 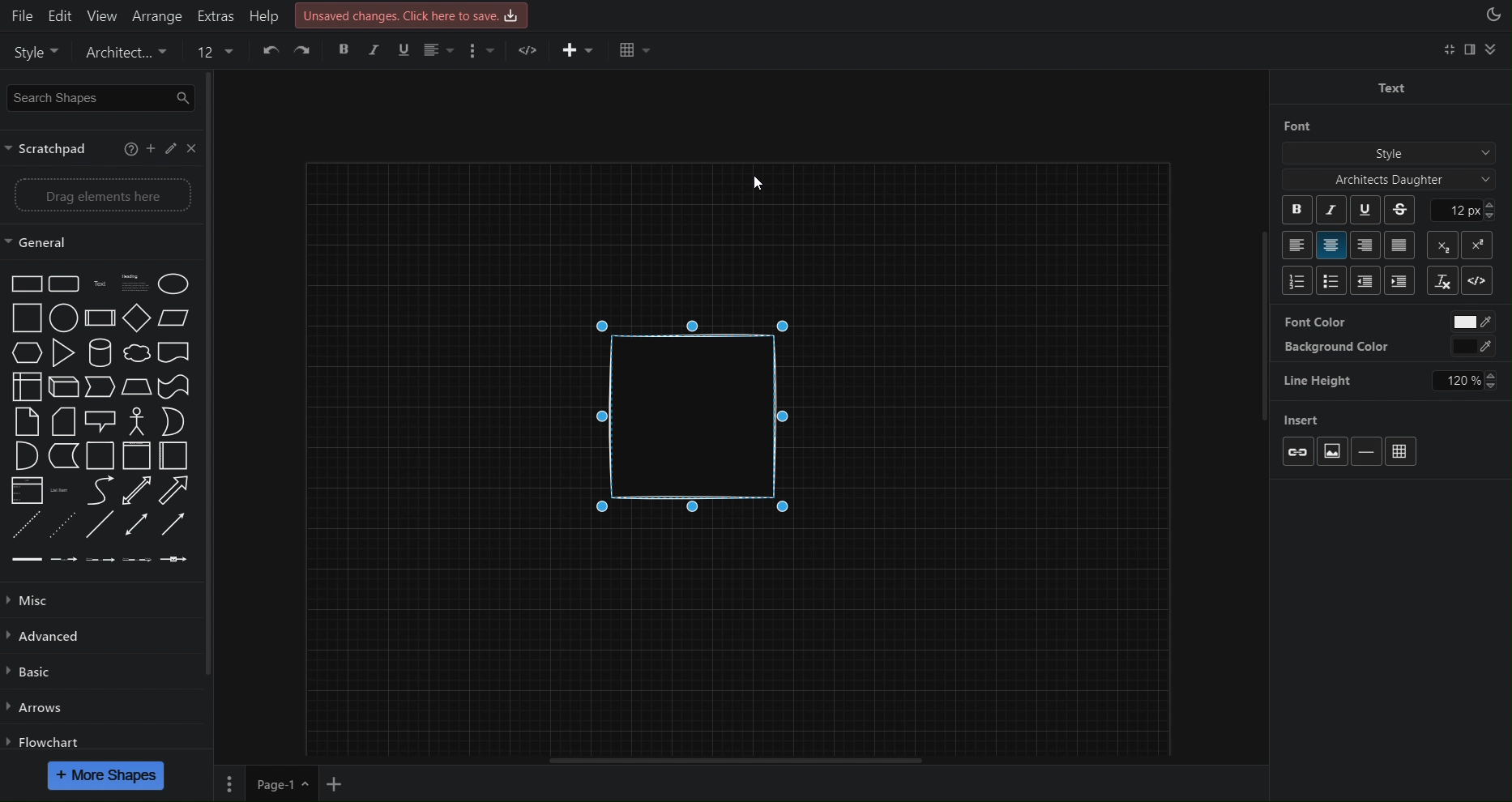 I want to click on Grid, so click(x=1405, y=448).